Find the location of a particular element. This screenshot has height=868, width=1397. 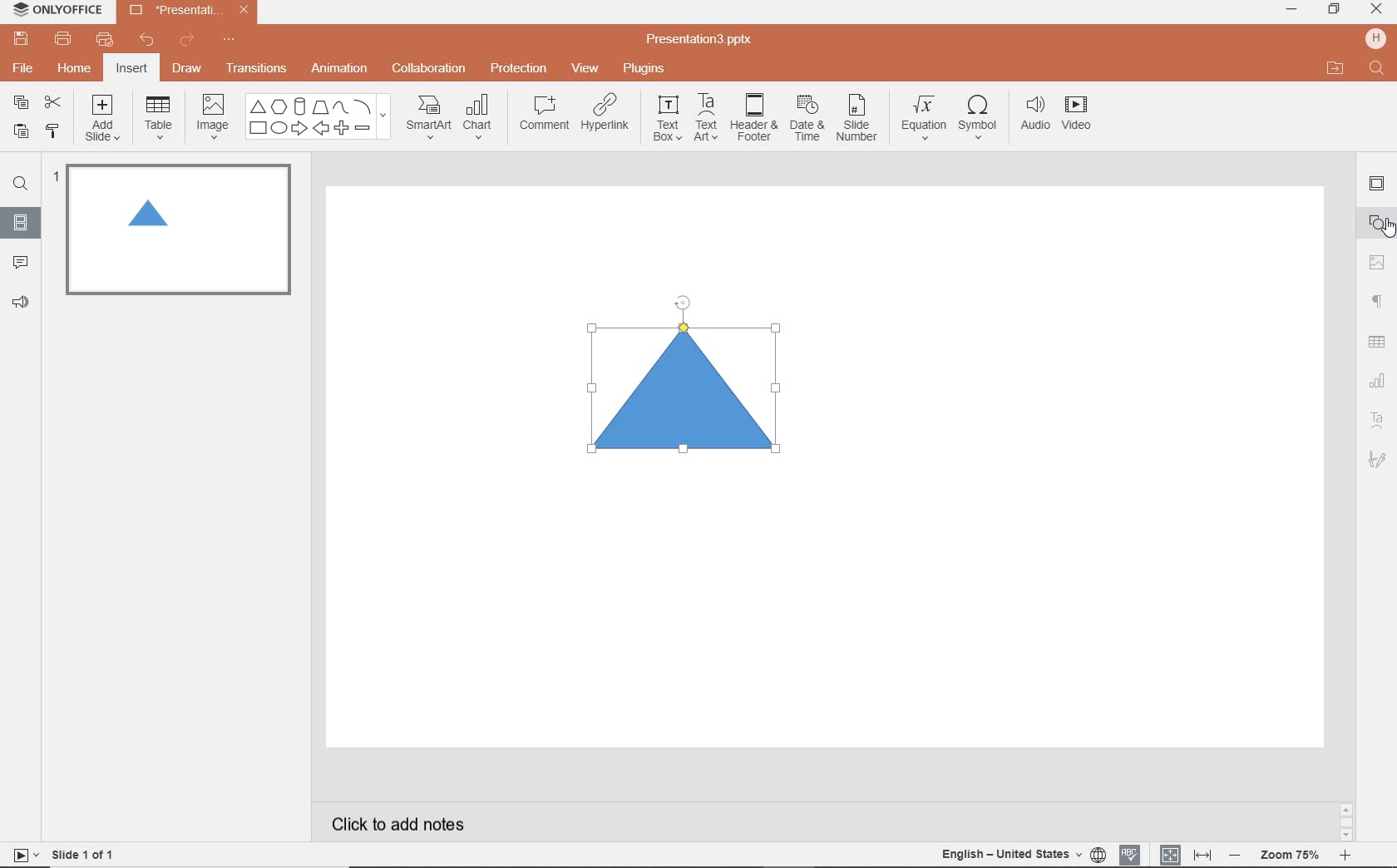

ANIMATION is located at coordinates (338, 70).